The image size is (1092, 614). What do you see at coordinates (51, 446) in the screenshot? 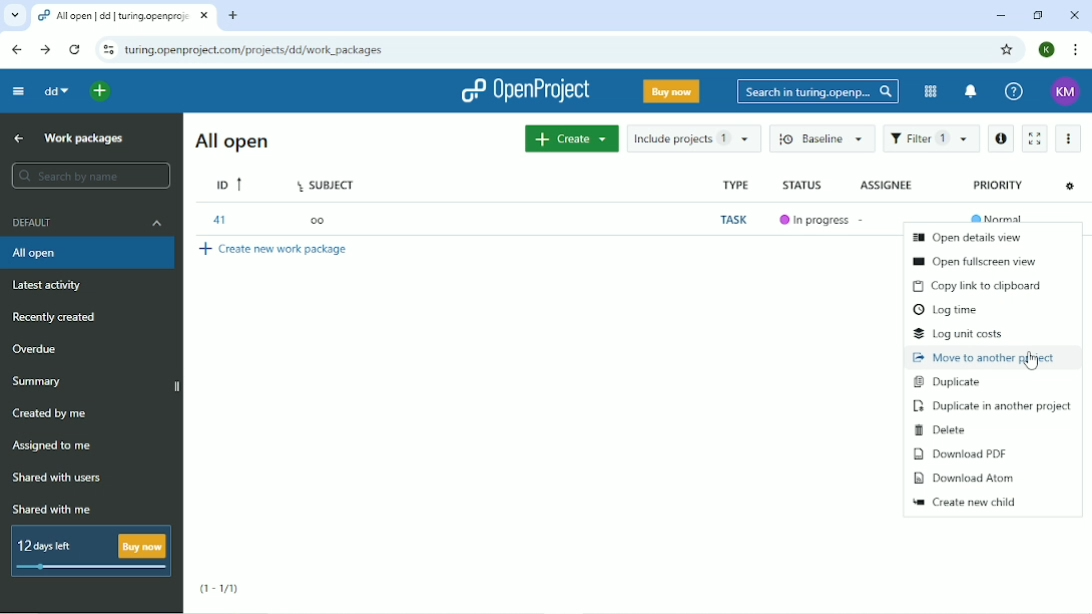
I see `Assigned to me` at bounding box center [51, 446].